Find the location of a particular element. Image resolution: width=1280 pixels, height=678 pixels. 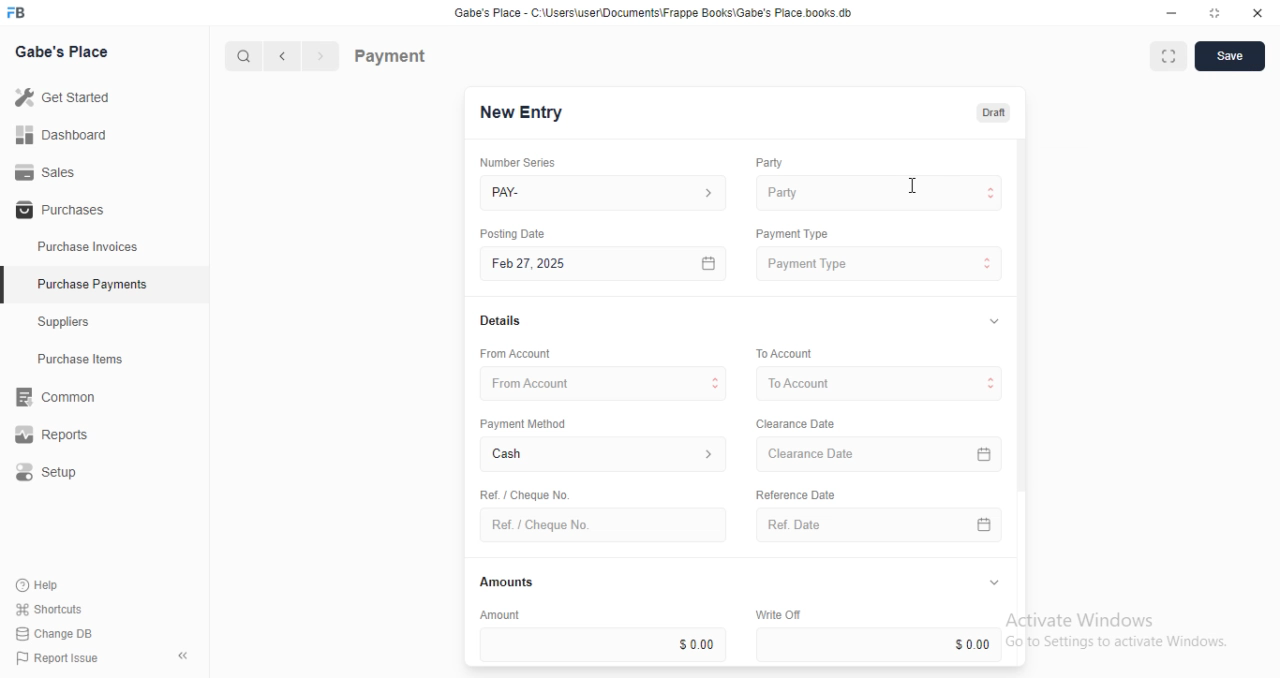

Get Started is located at coordinates (62, 96).